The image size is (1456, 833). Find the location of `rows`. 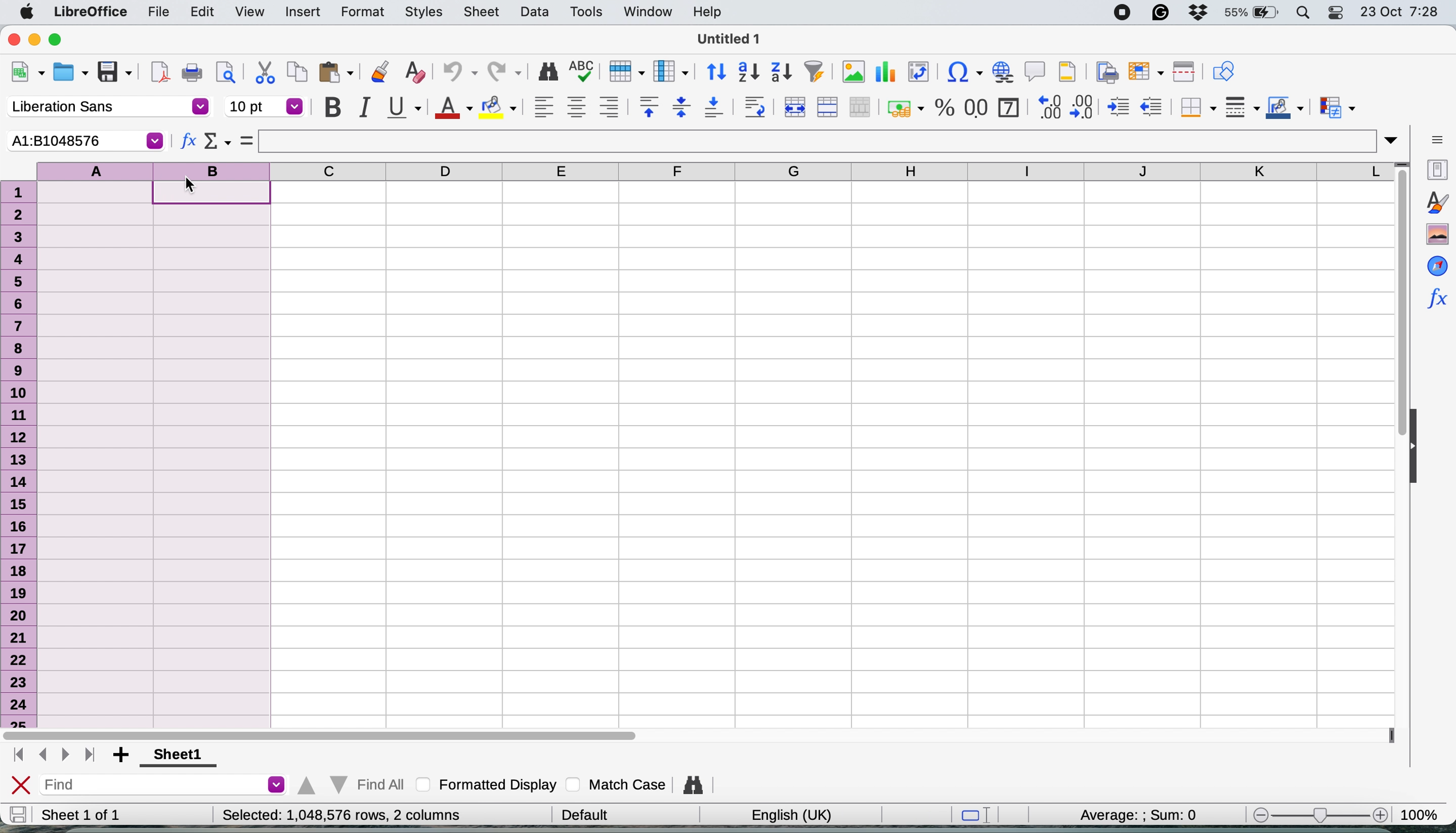

rows is located at coordinates (19, 450).